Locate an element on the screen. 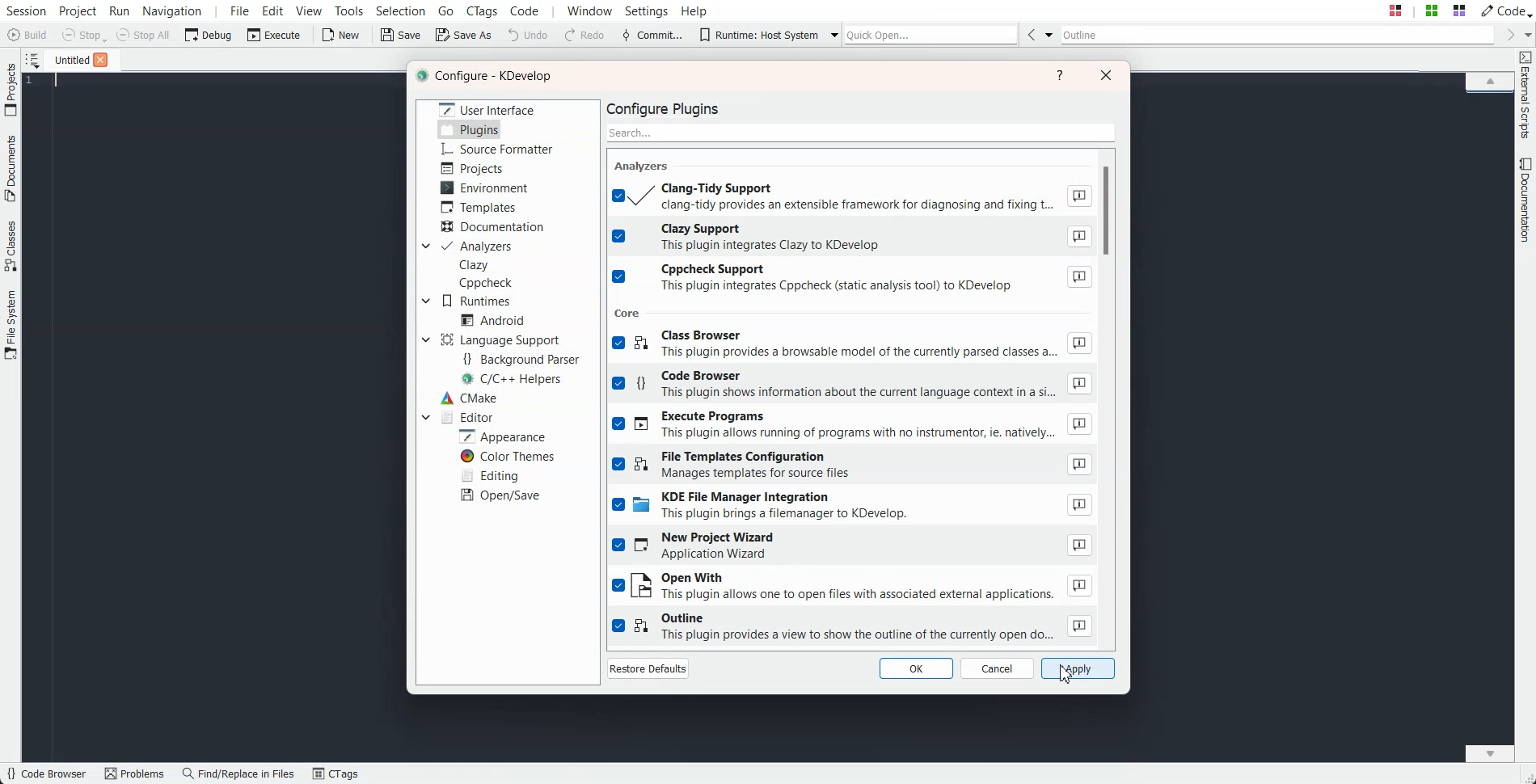  Classes is located at coordinates (11, 246).